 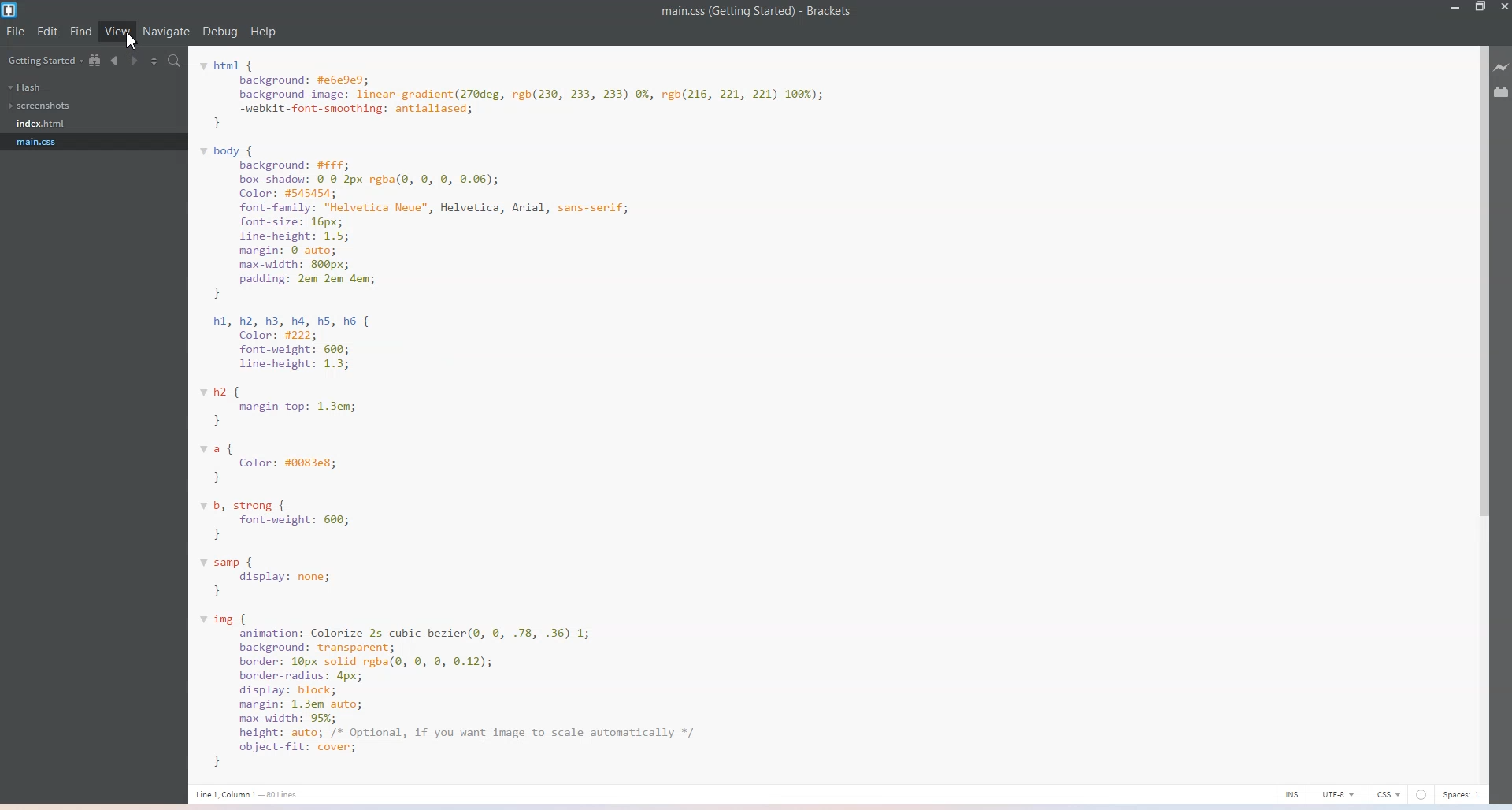 I want to click on Text 3 , so click(x=253, y=794).